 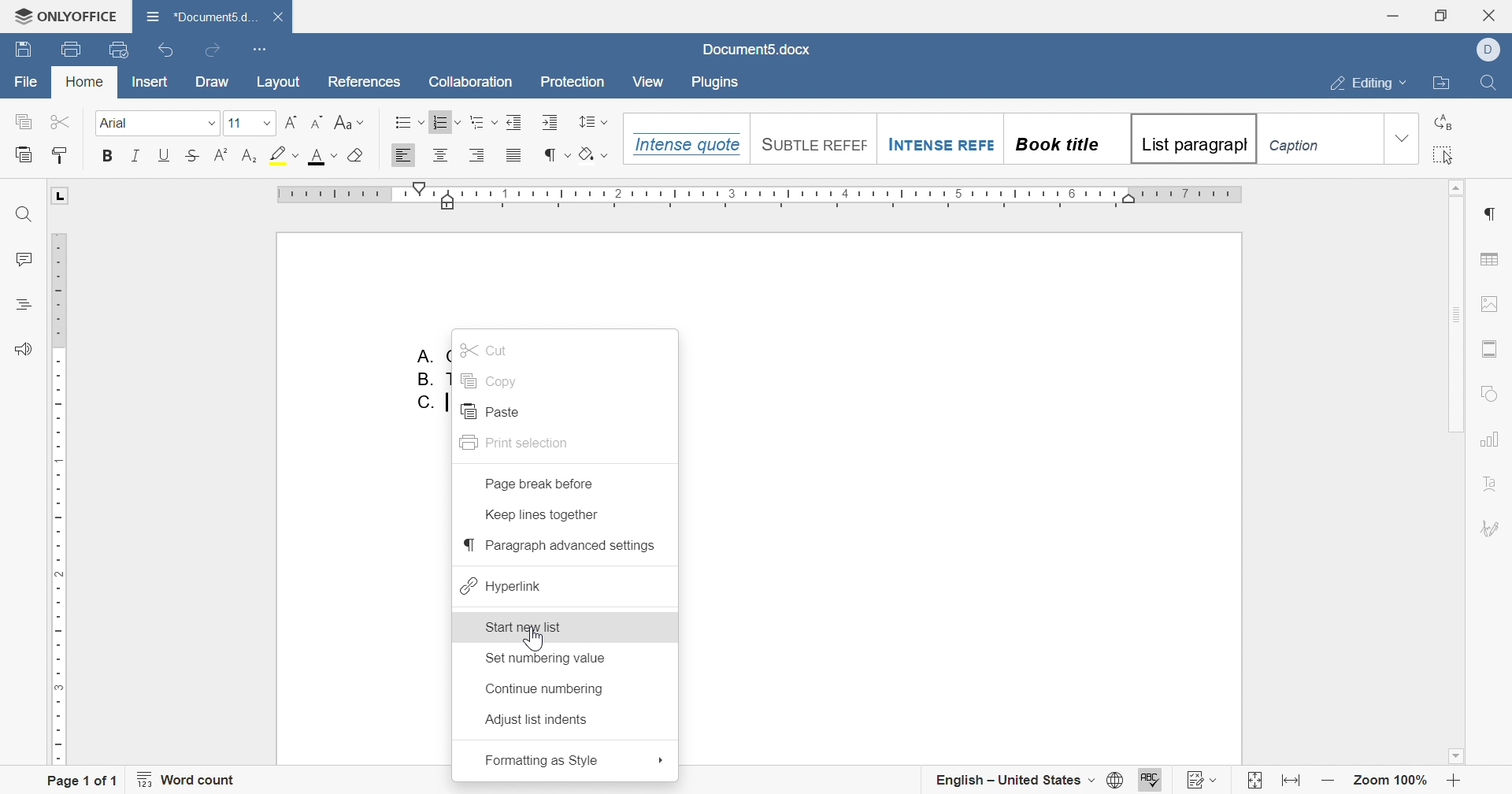 I want to click on Copy style, so click(x=61, y=154).